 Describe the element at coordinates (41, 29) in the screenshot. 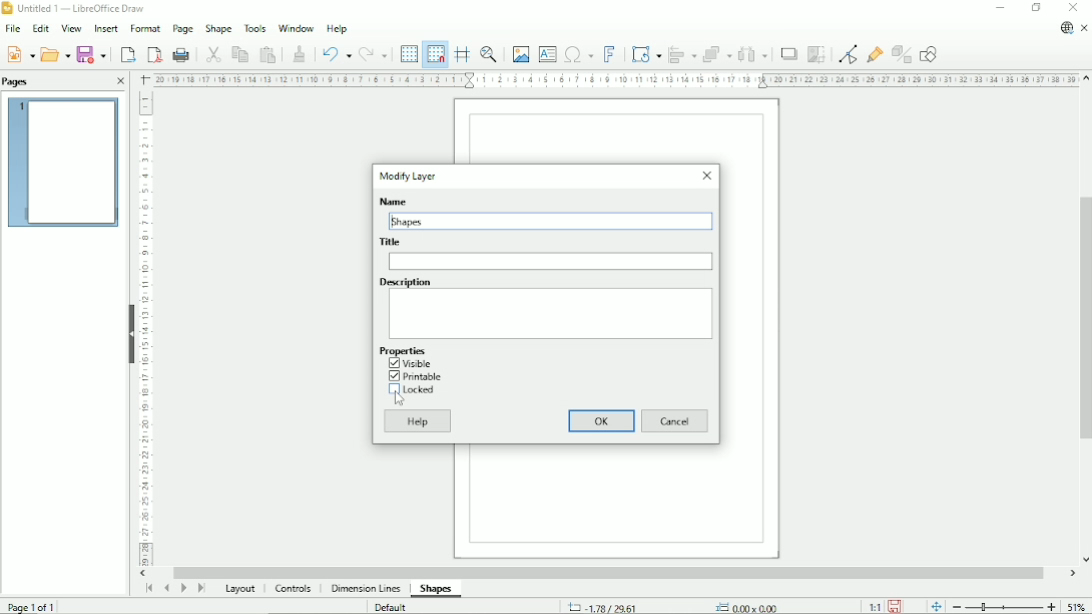

I see `Edit` at that location.